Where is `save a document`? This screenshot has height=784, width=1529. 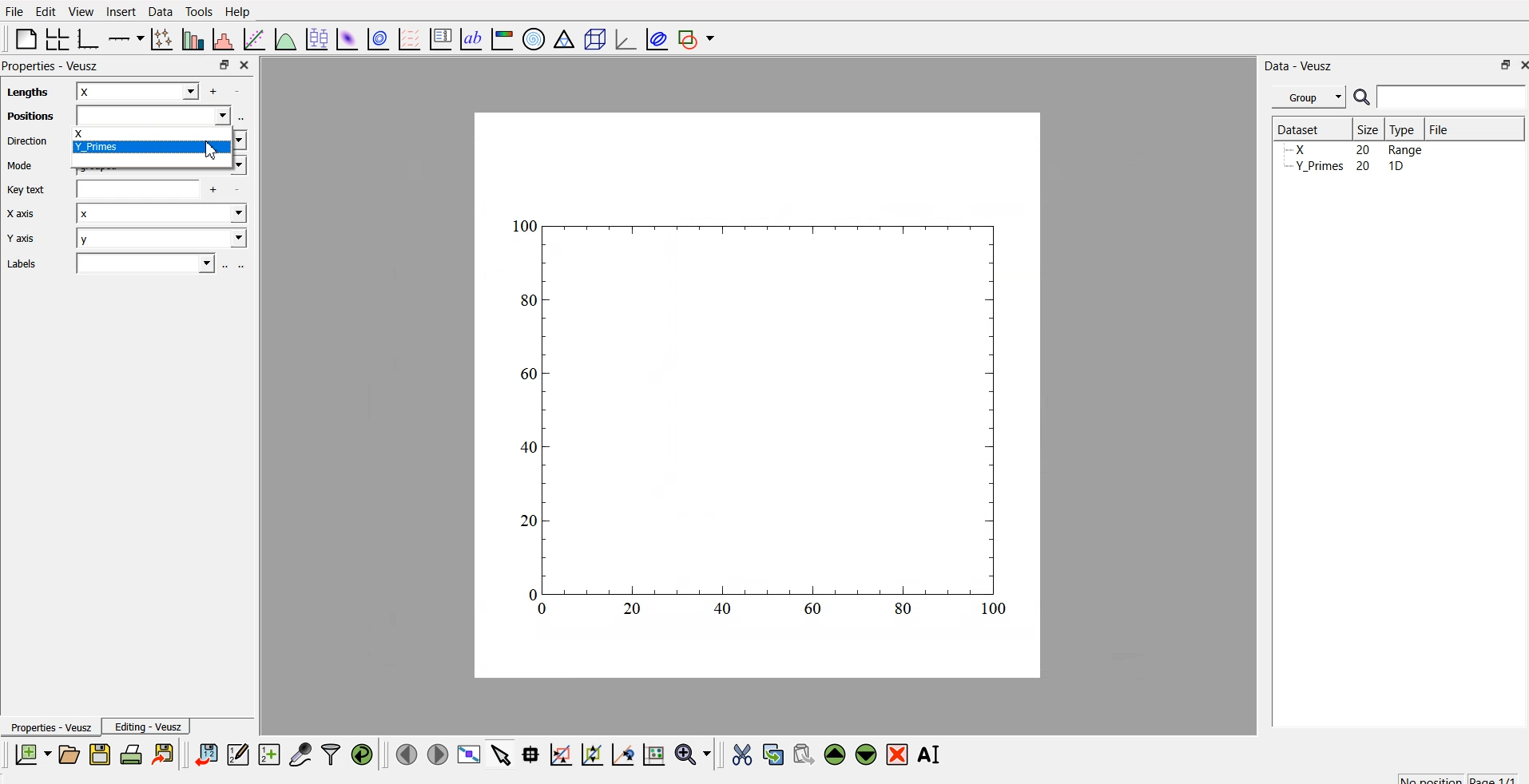 save a document is located at coordinates (100, 755).